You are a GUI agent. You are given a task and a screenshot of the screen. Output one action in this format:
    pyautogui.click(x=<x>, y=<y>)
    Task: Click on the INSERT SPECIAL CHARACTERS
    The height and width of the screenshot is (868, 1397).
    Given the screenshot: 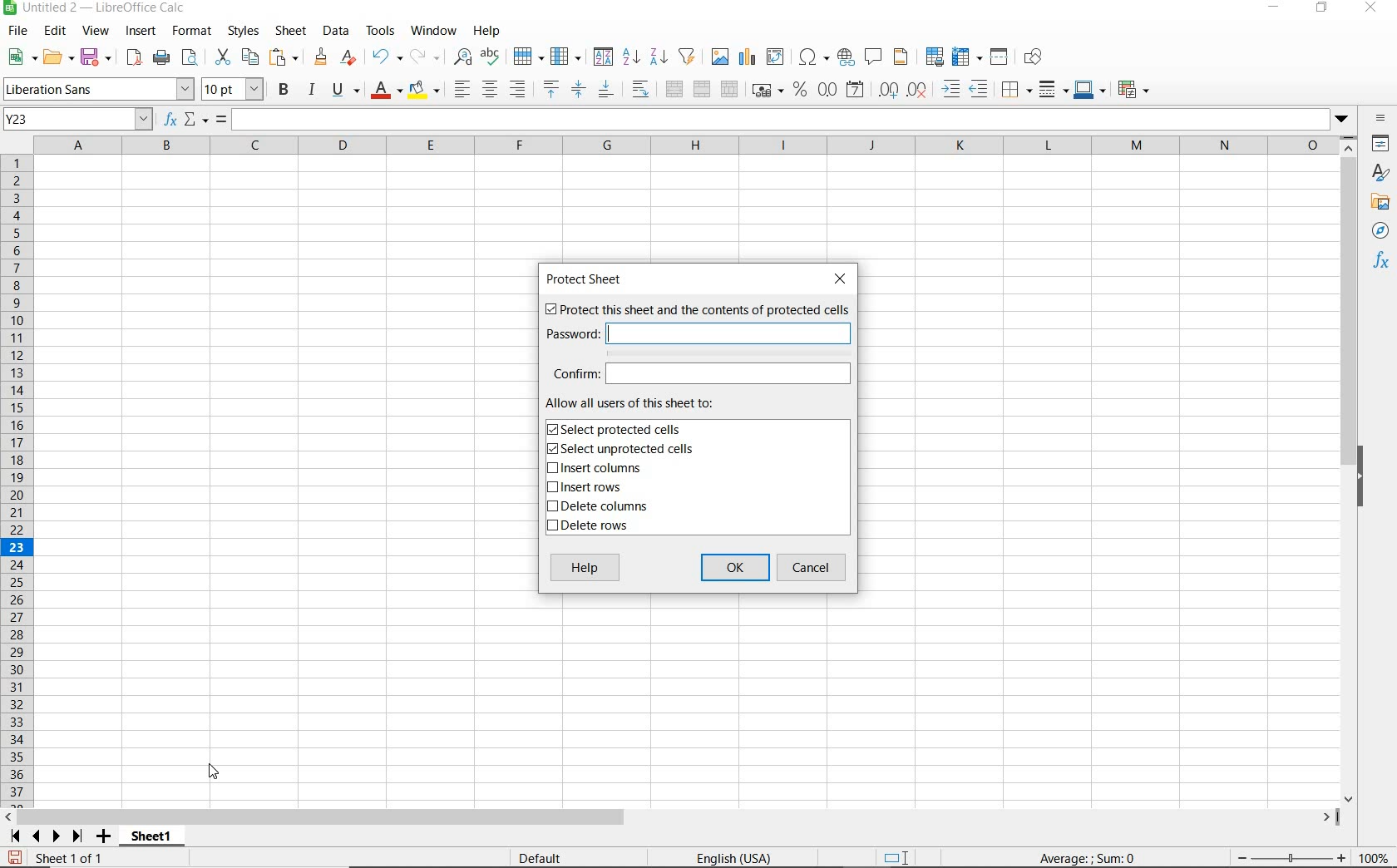 What is the action you would take?
    pyautogui.click(x=815, y=57)
    